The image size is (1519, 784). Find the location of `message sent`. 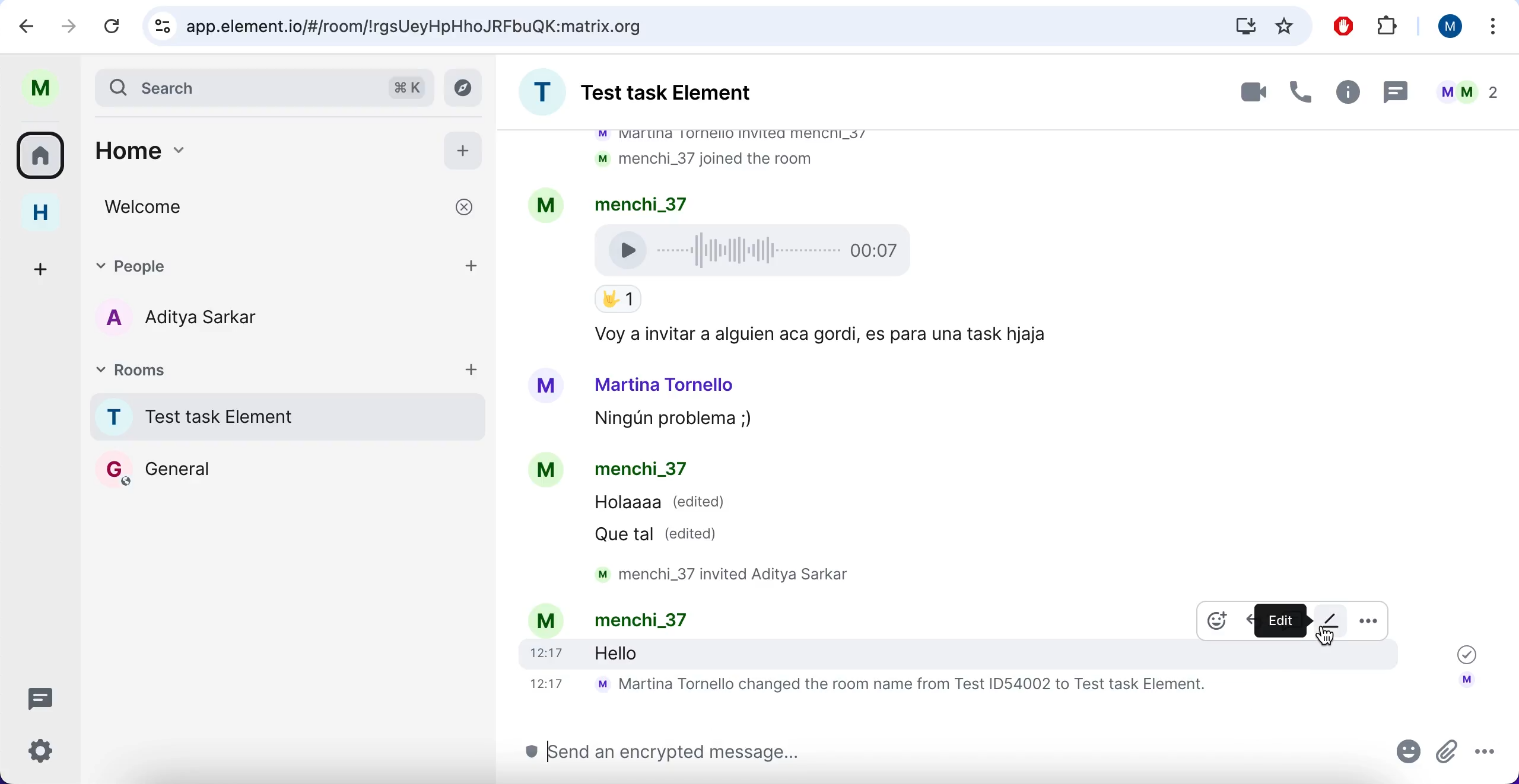

message sent is located at coordinates (1462, 652).